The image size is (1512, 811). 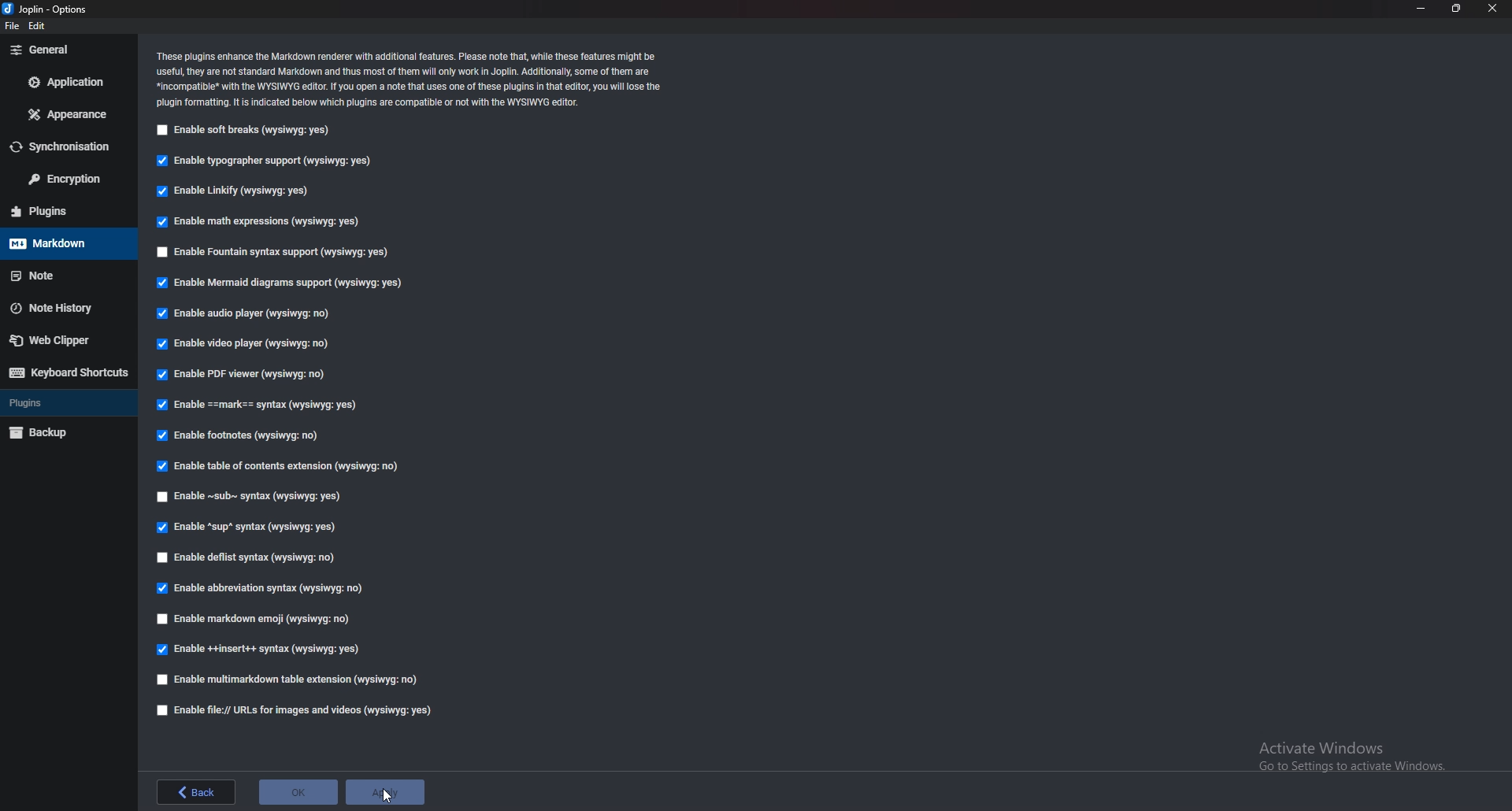 What do you see at coordinates (412, 79) in the screenshot?
I see `info` at bounding box center [412, 79].